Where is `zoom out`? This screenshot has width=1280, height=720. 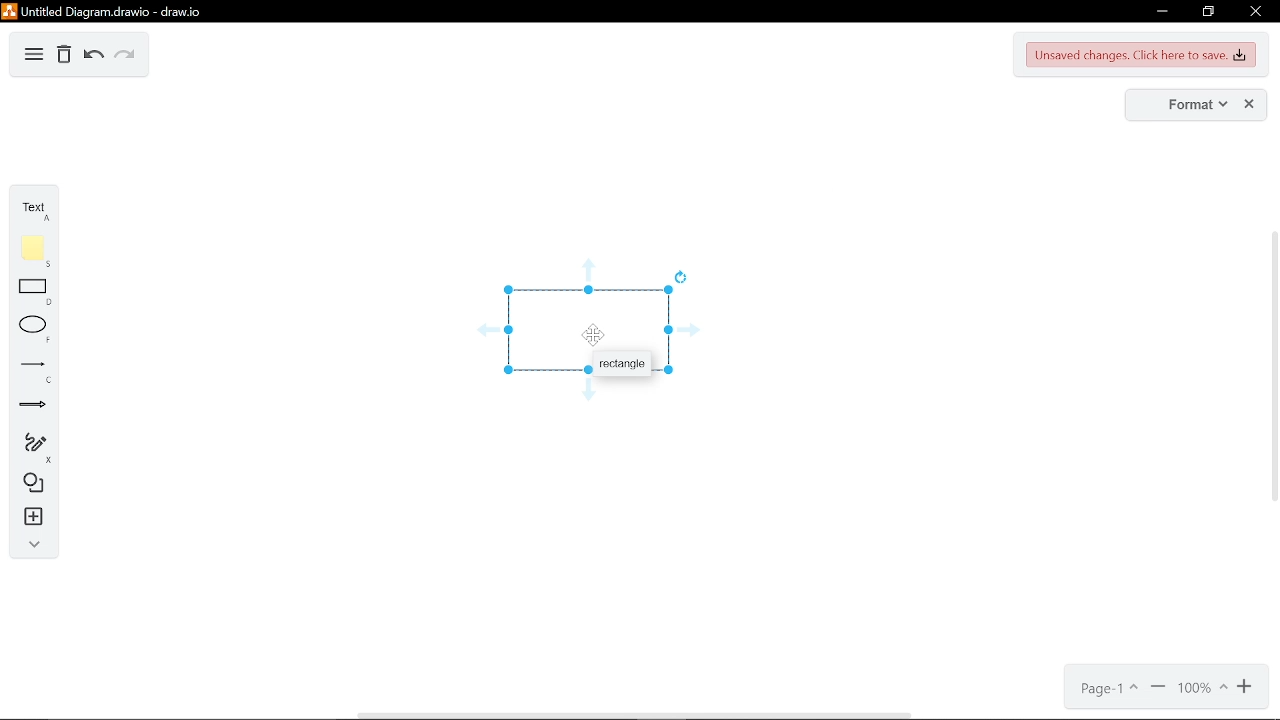
zoom out is located at coordinates (1158, 688).